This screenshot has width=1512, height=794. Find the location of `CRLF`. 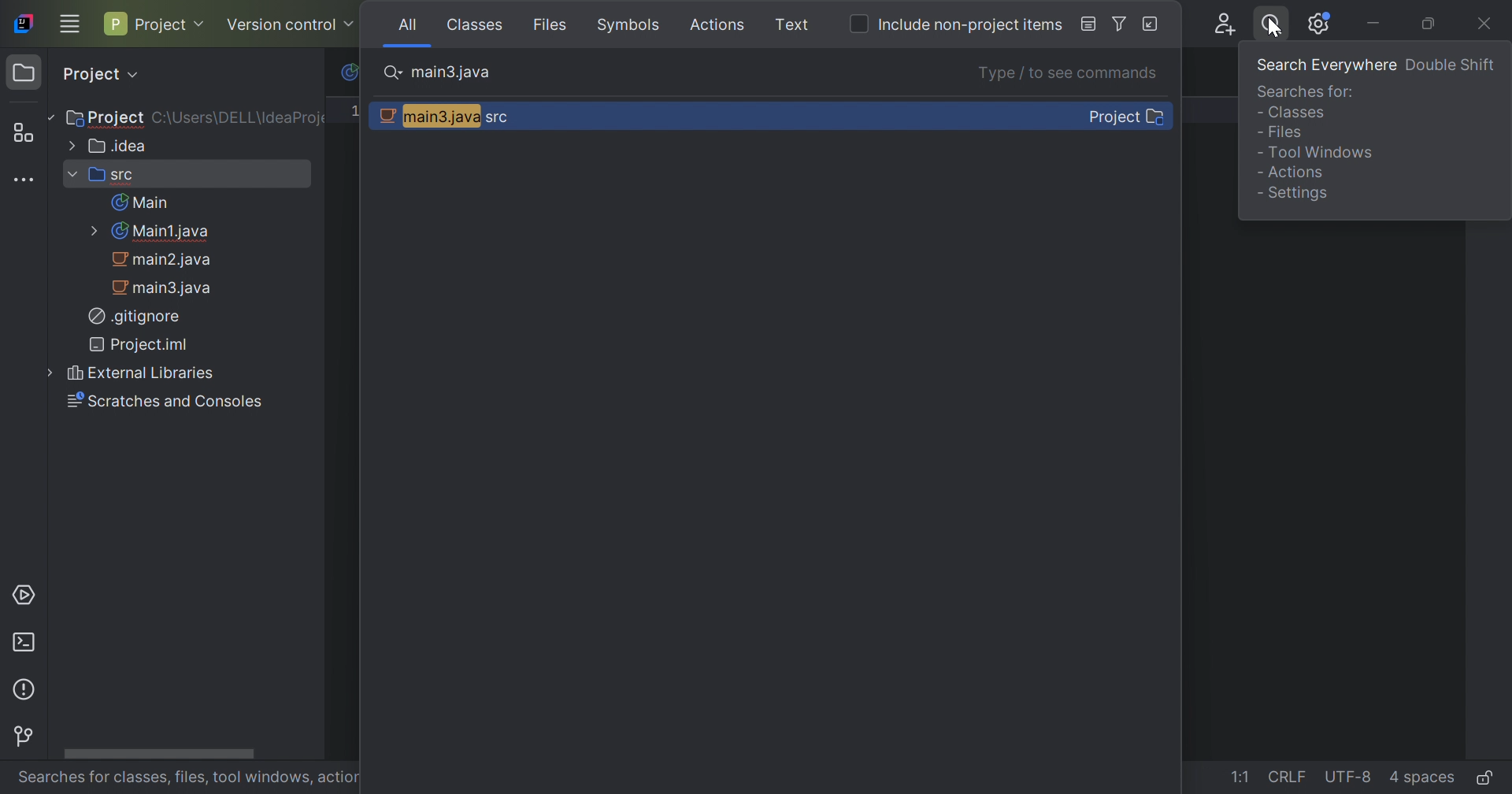

CRLF is located at coordinates (1288, 779).